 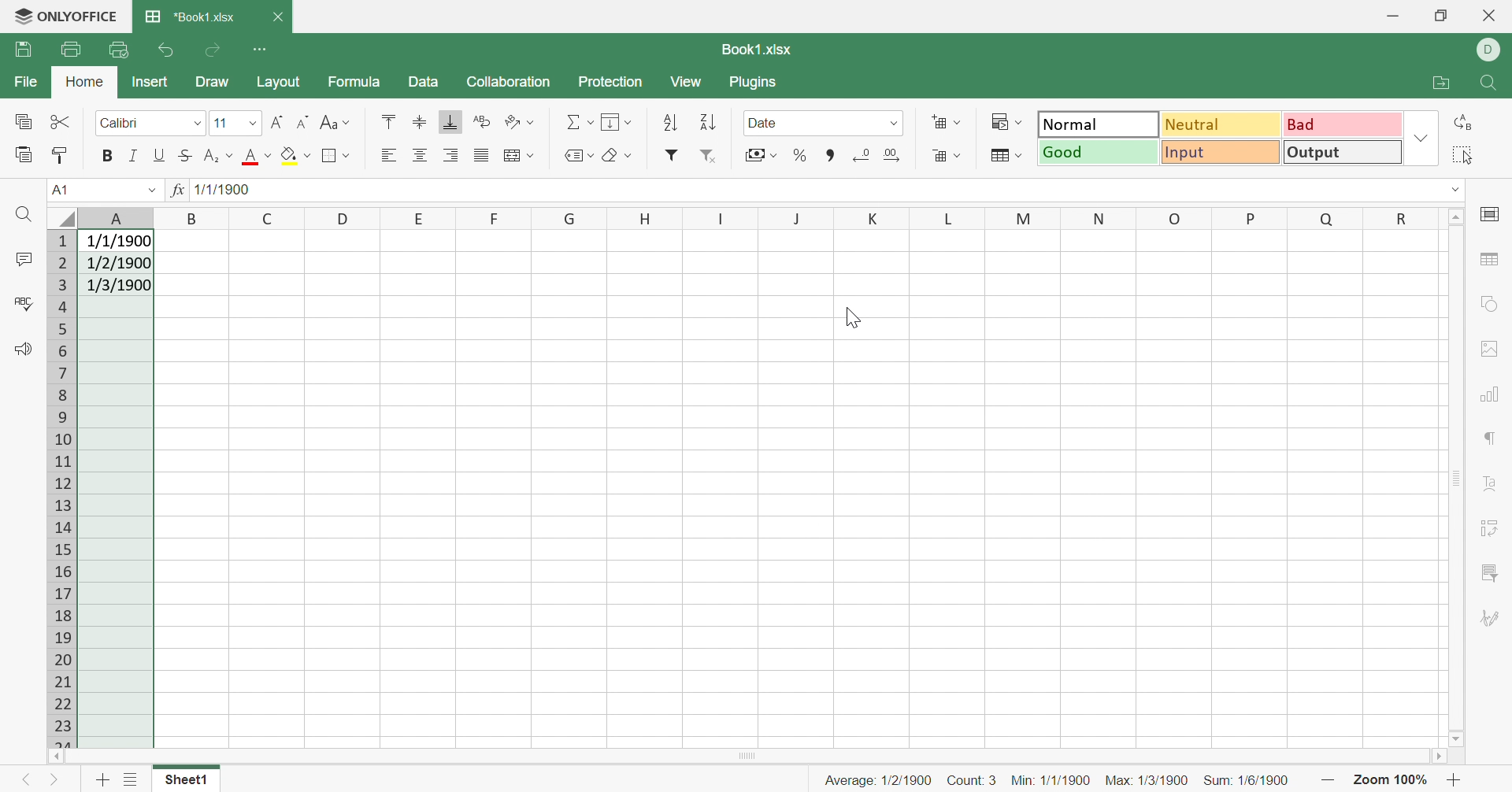 What do you see at coordinates (277, 17) in the screenshot?
I see `Close` at bounding box center [277, 17].